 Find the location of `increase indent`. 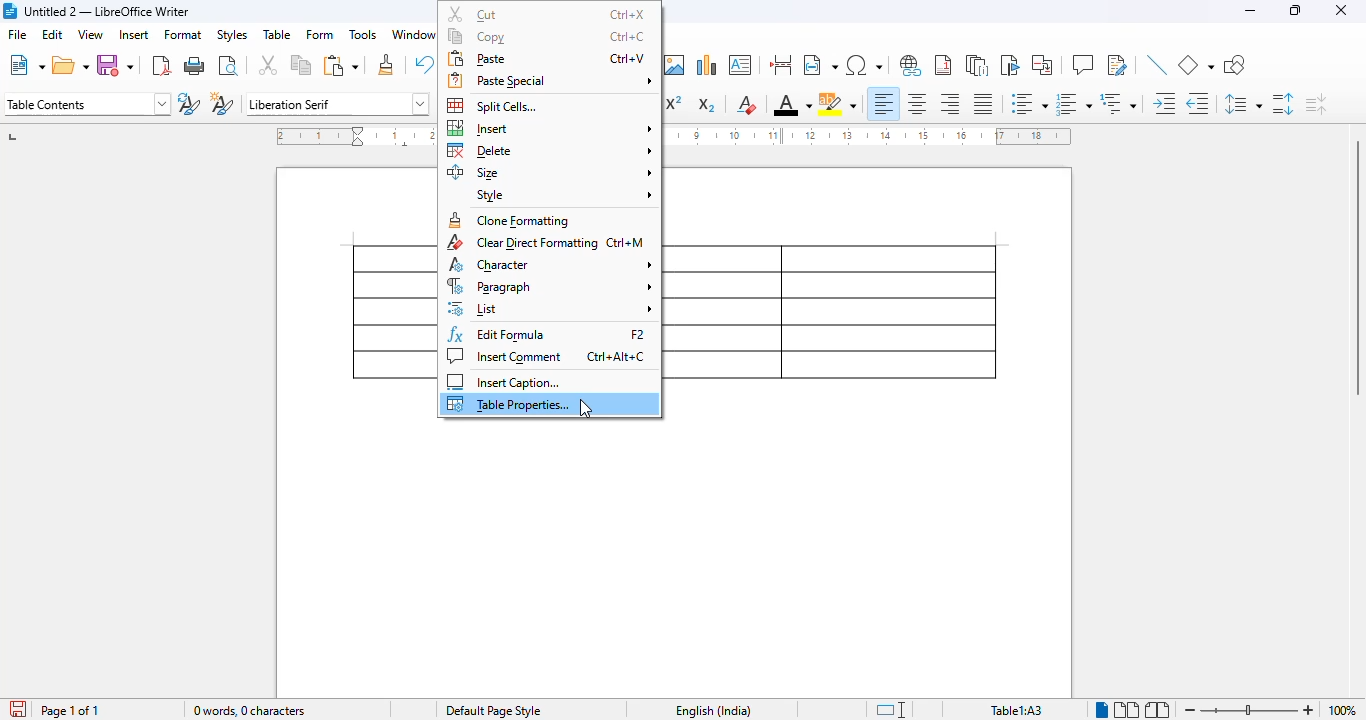

increase indent is located at coordinates (1166, 103).